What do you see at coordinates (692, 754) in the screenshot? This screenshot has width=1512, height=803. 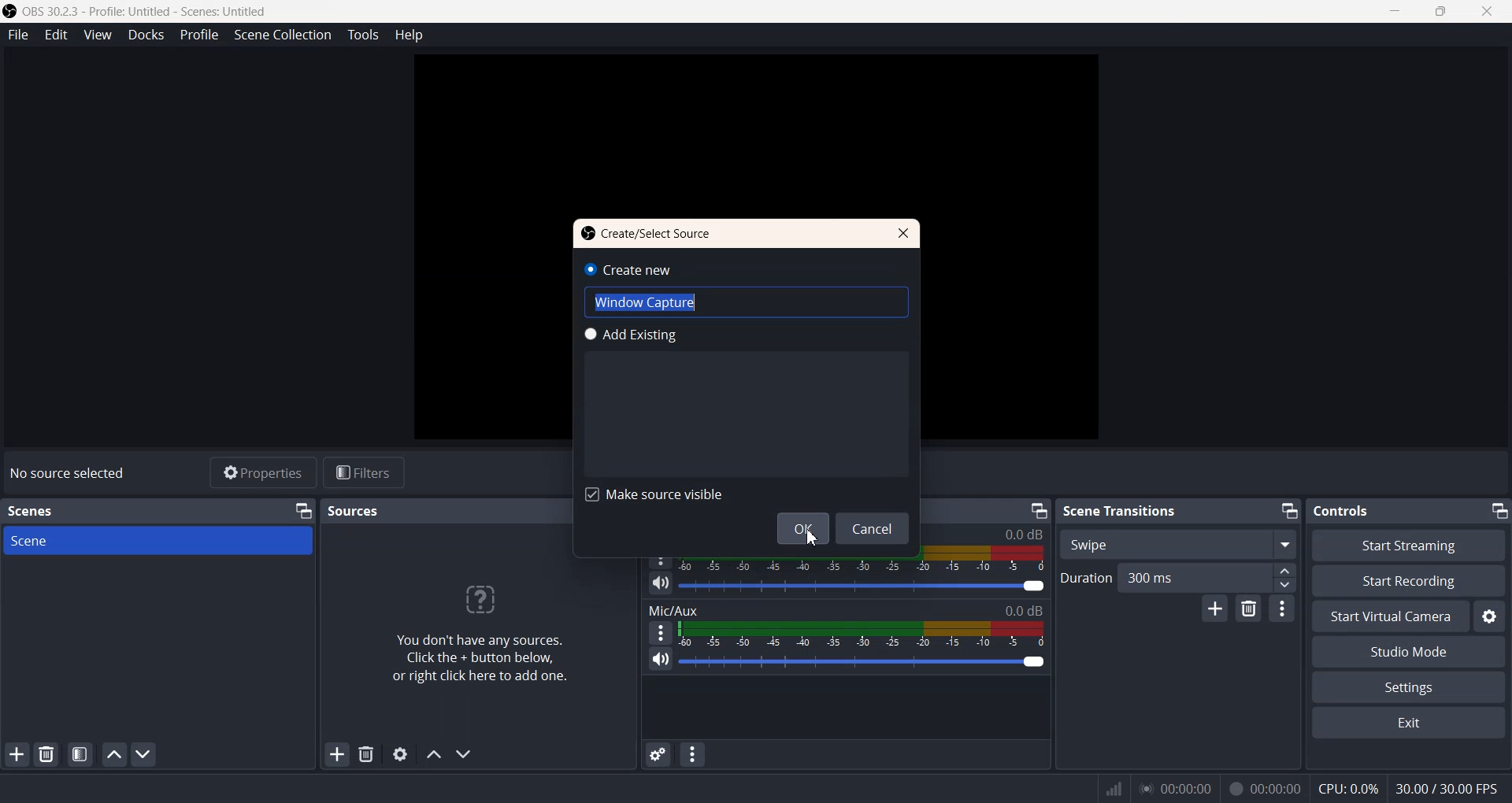 I see `Audio mixer menu` at bounding box center [692, 754].